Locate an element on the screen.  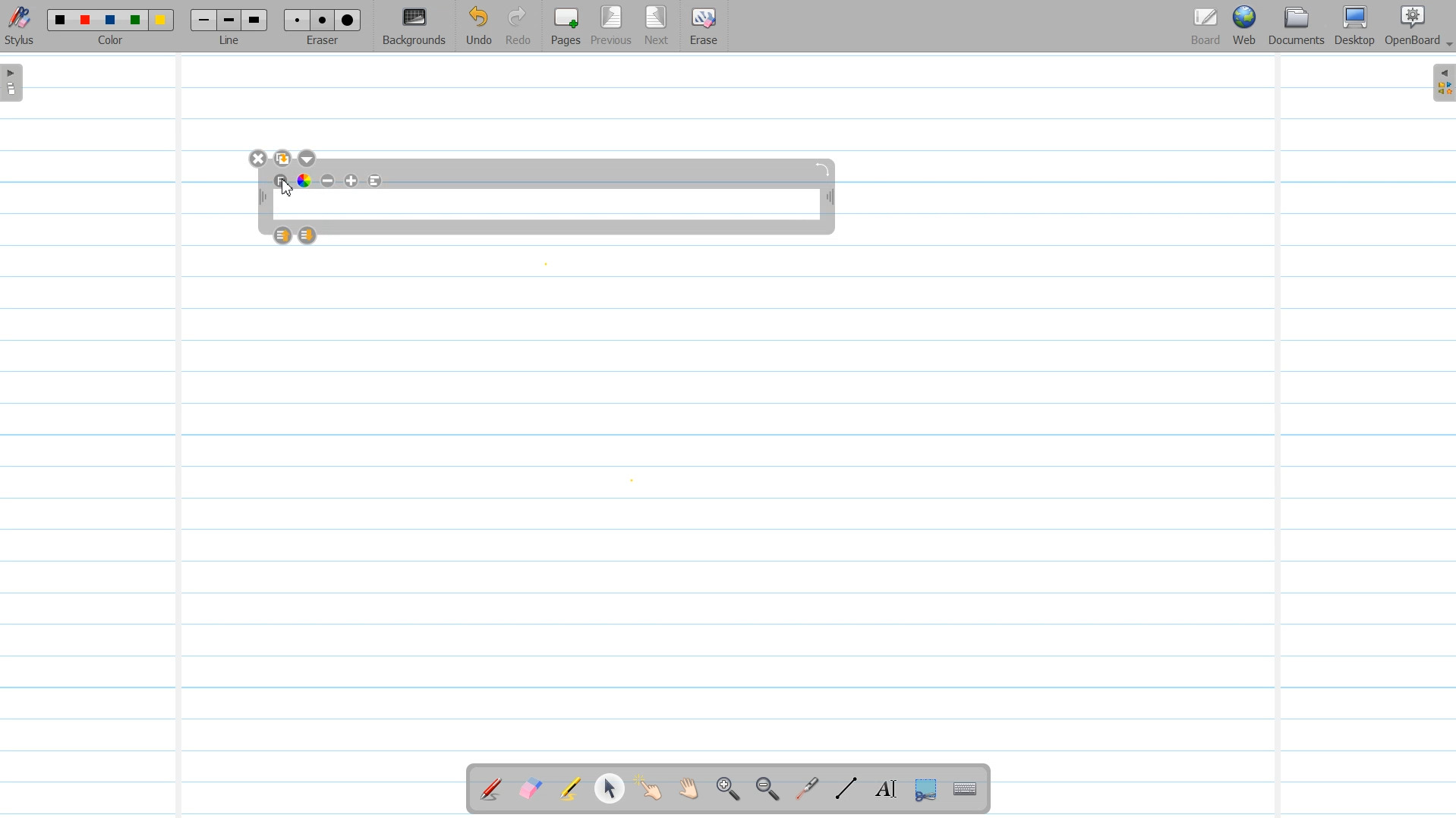
Drop Down Box is located at coordinates (1447, 45).